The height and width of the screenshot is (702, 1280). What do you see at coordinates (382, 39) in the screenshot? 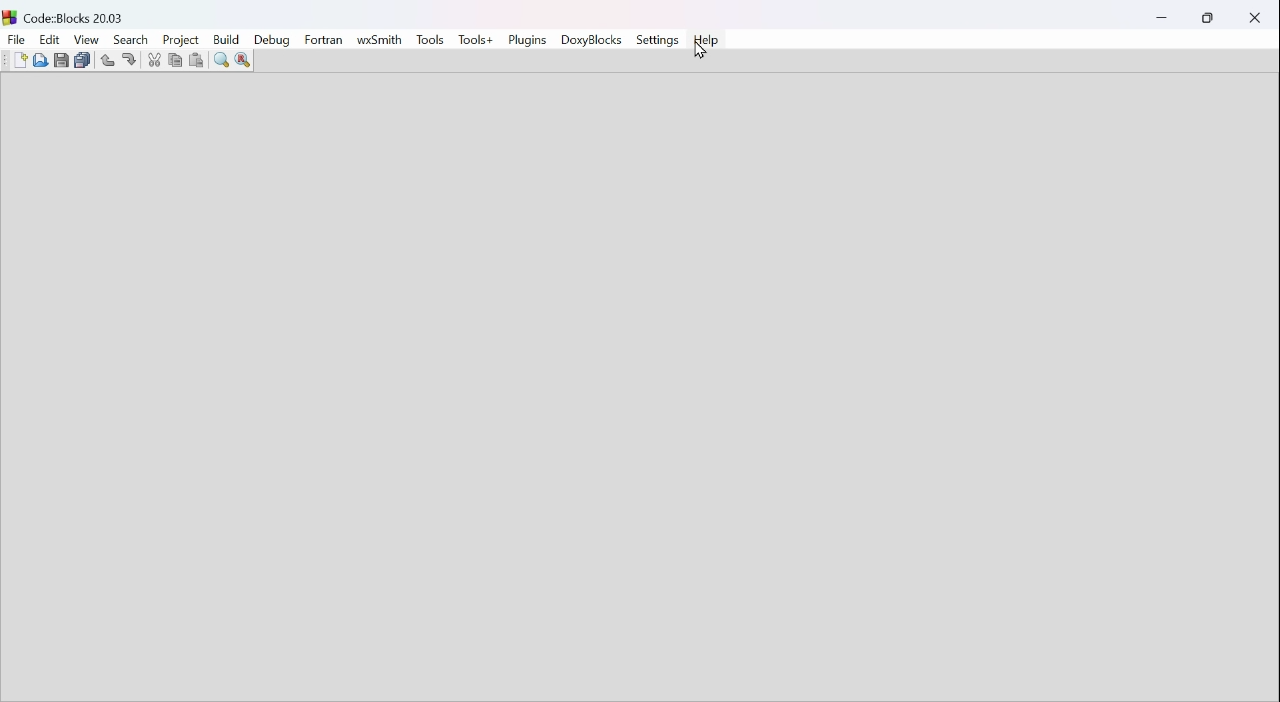
I see `w X Smith` at bounding box center [382, 39].